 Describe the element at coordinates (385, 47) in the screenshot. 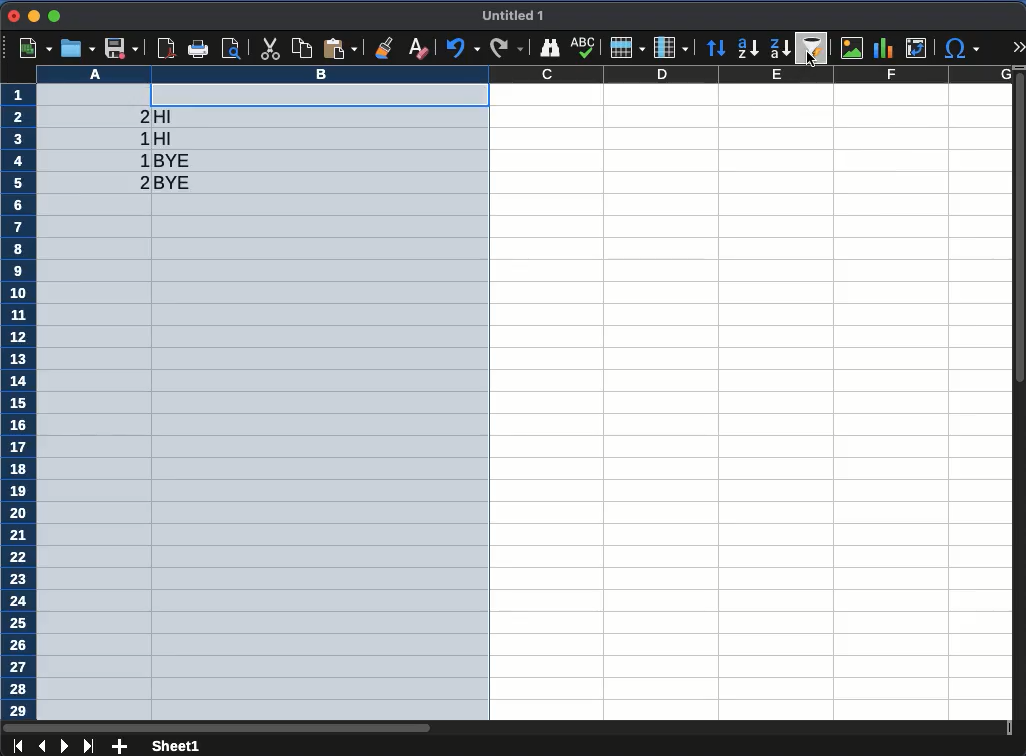

I see `clone formatting` at that location.